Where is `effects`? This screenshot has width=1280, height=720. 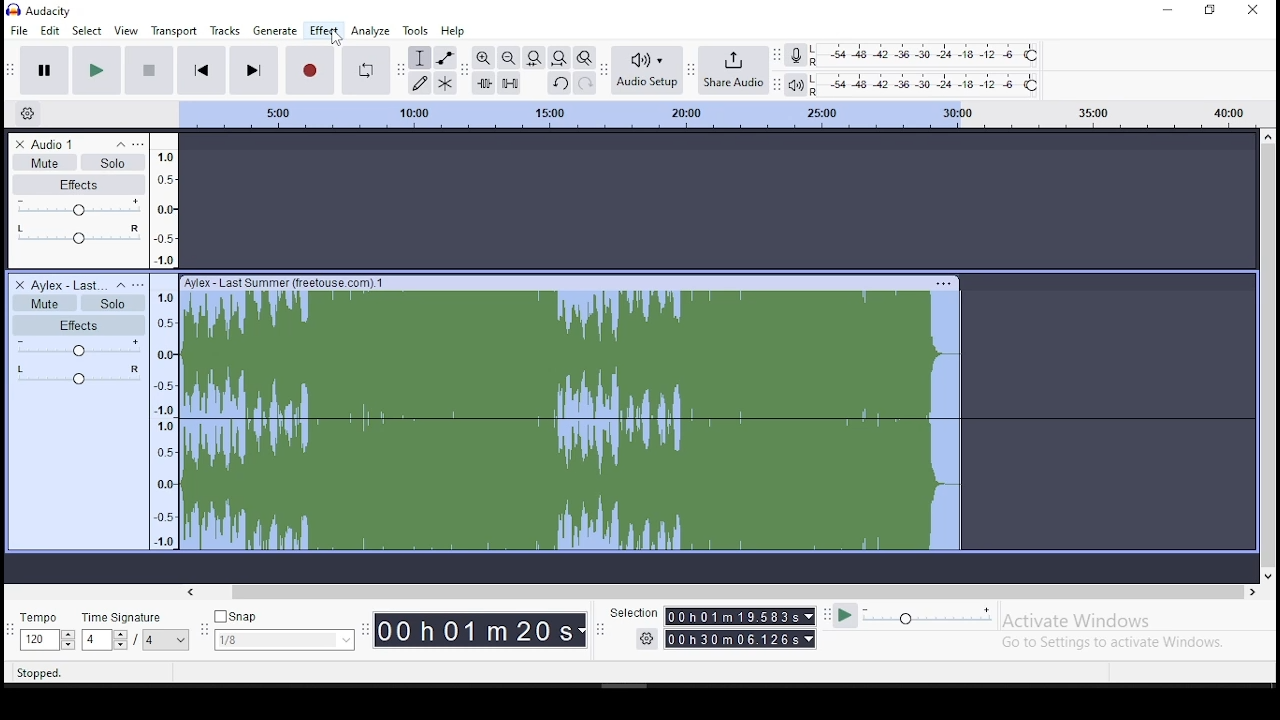
effects is located at coordinates (79, 185).